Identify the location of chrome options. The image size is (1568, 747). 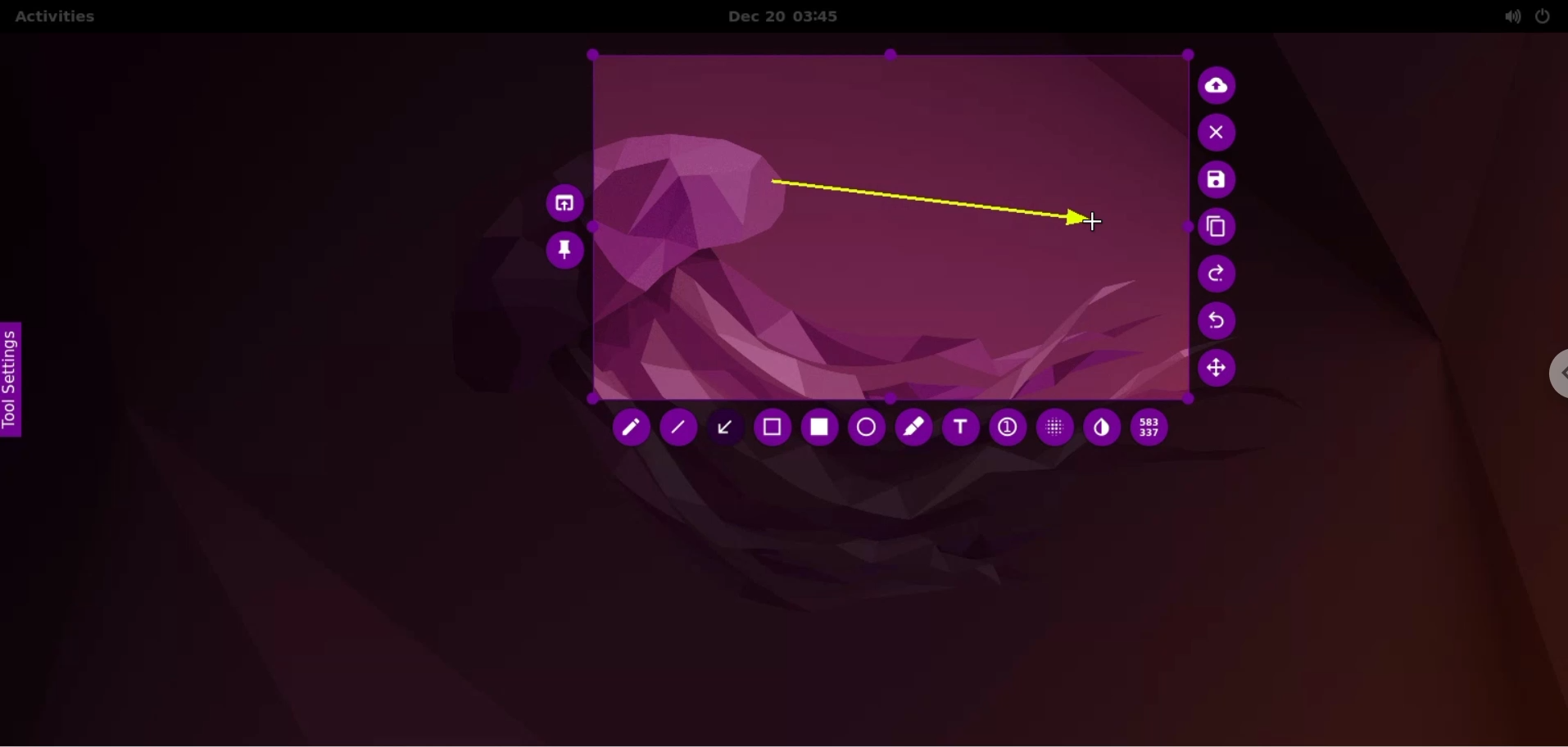
(1548, 378).